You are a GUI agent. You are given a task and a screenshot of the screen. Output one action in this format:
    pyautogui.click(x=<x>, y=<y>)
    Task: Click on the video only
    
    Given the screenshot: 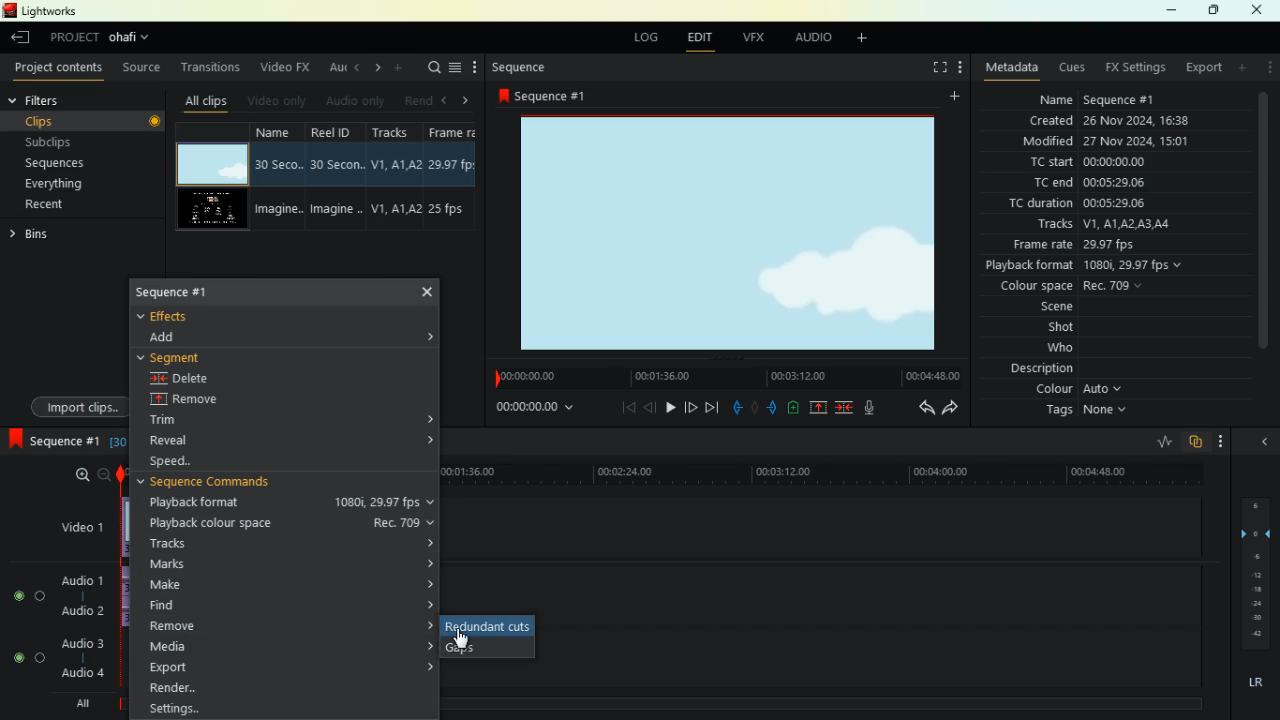 What is the action you would take?
    pyautogui.click(x=278, y=100)
    